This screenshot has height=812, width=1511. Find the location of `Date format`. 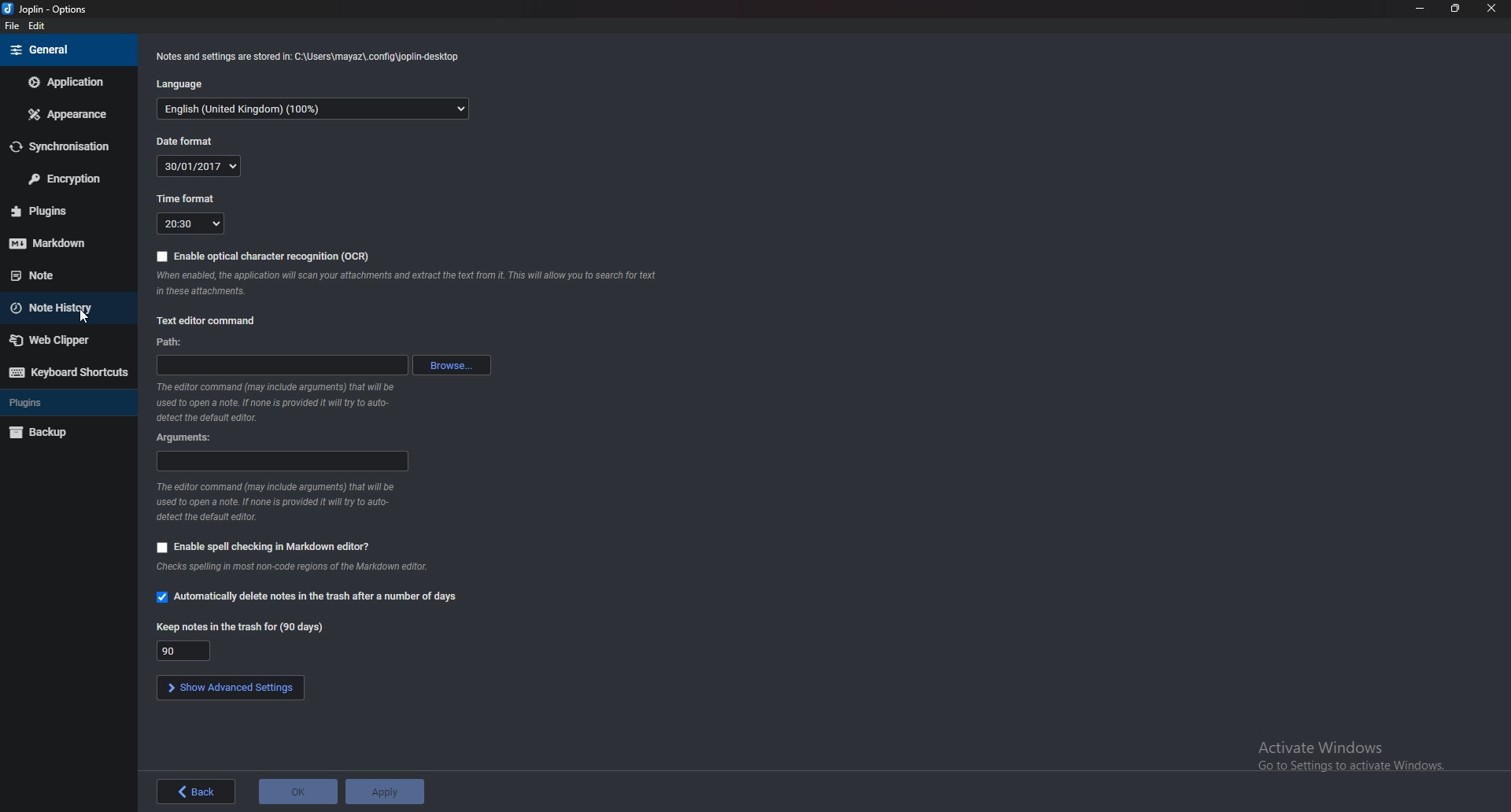

Date format is located at coordinates (186, 142).